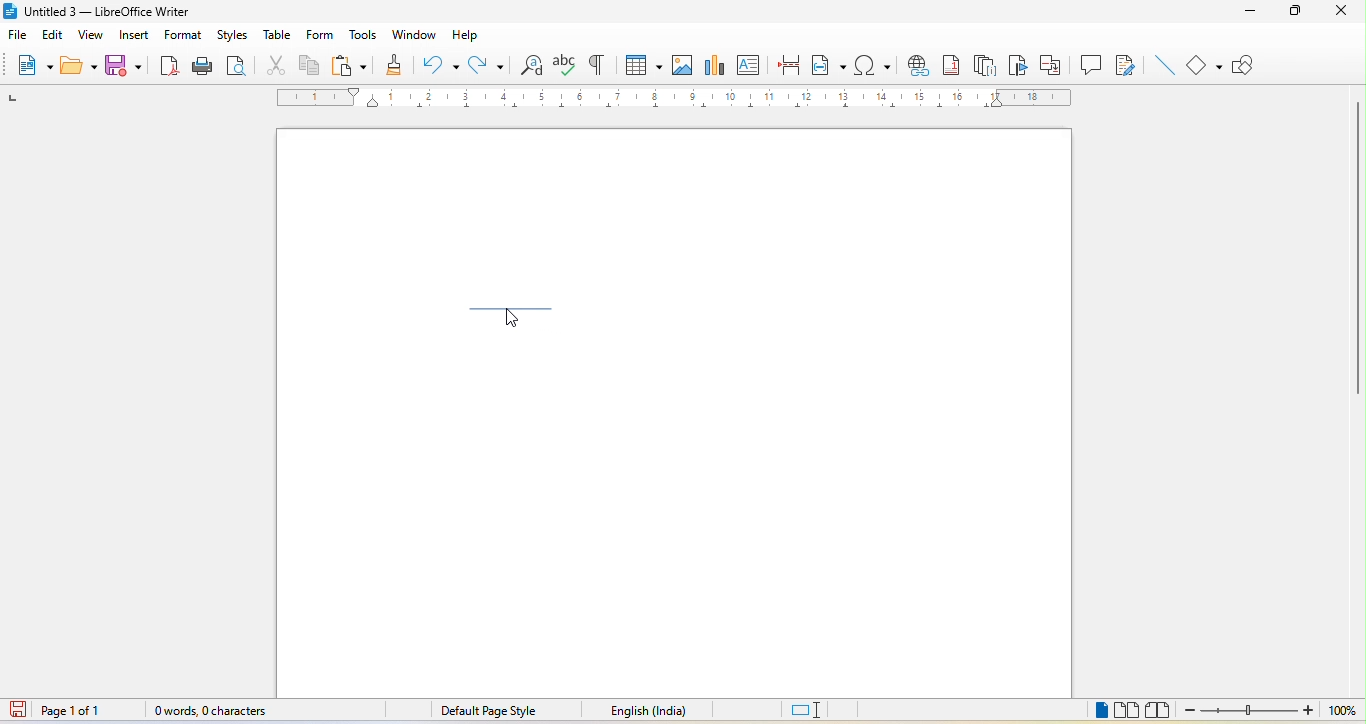 Image resolution: width=1366 pixels, height=724 pixels. What do you see at coordinates (310, 64) in the screenshot?
I see `copy` at bounding box center [310, 64].